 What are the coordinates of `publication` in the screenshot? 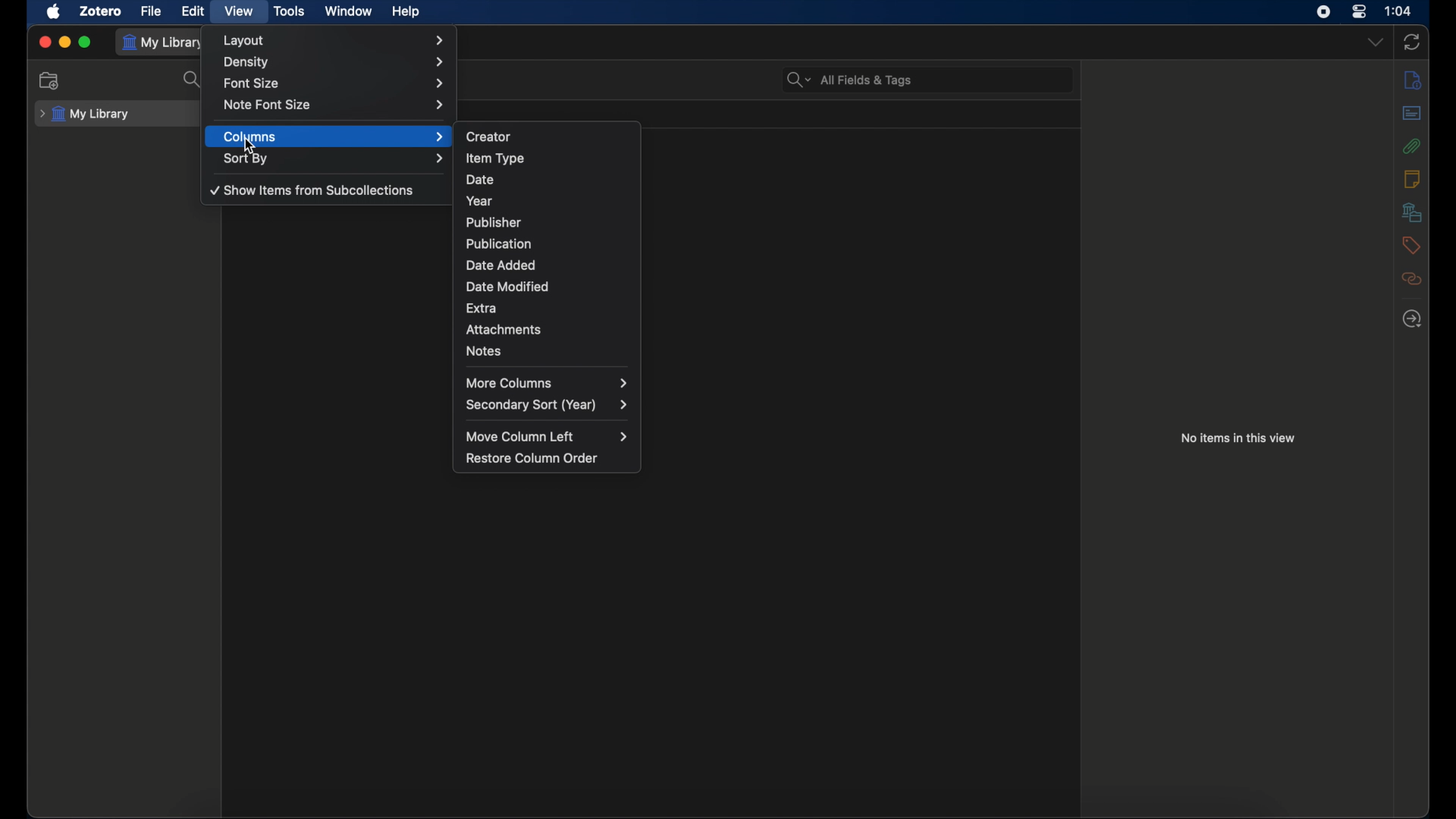 It's located at (499, 243).